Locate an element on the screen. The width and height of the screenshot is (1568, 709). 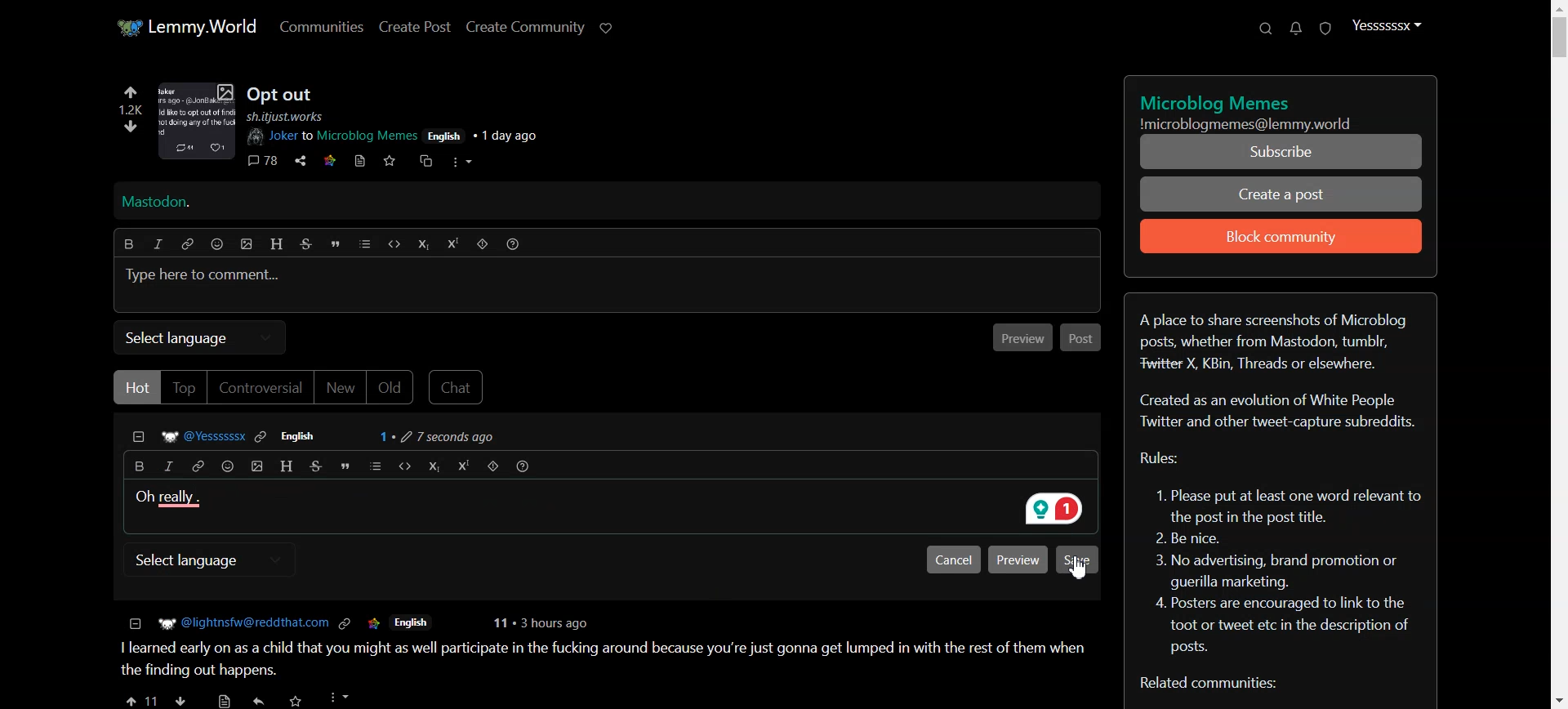
select language is located at coordinates (203, 561).